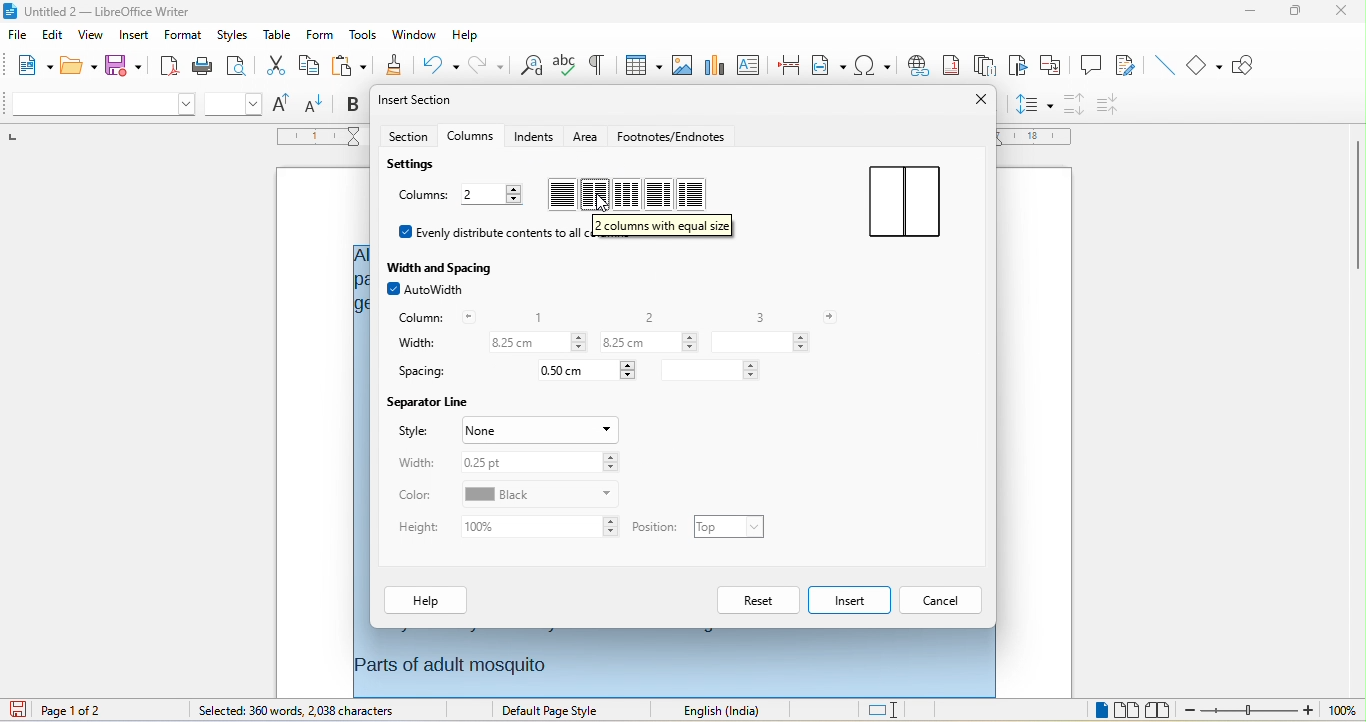  I want to click on increase paragraph spacing, so click(1075, 105).